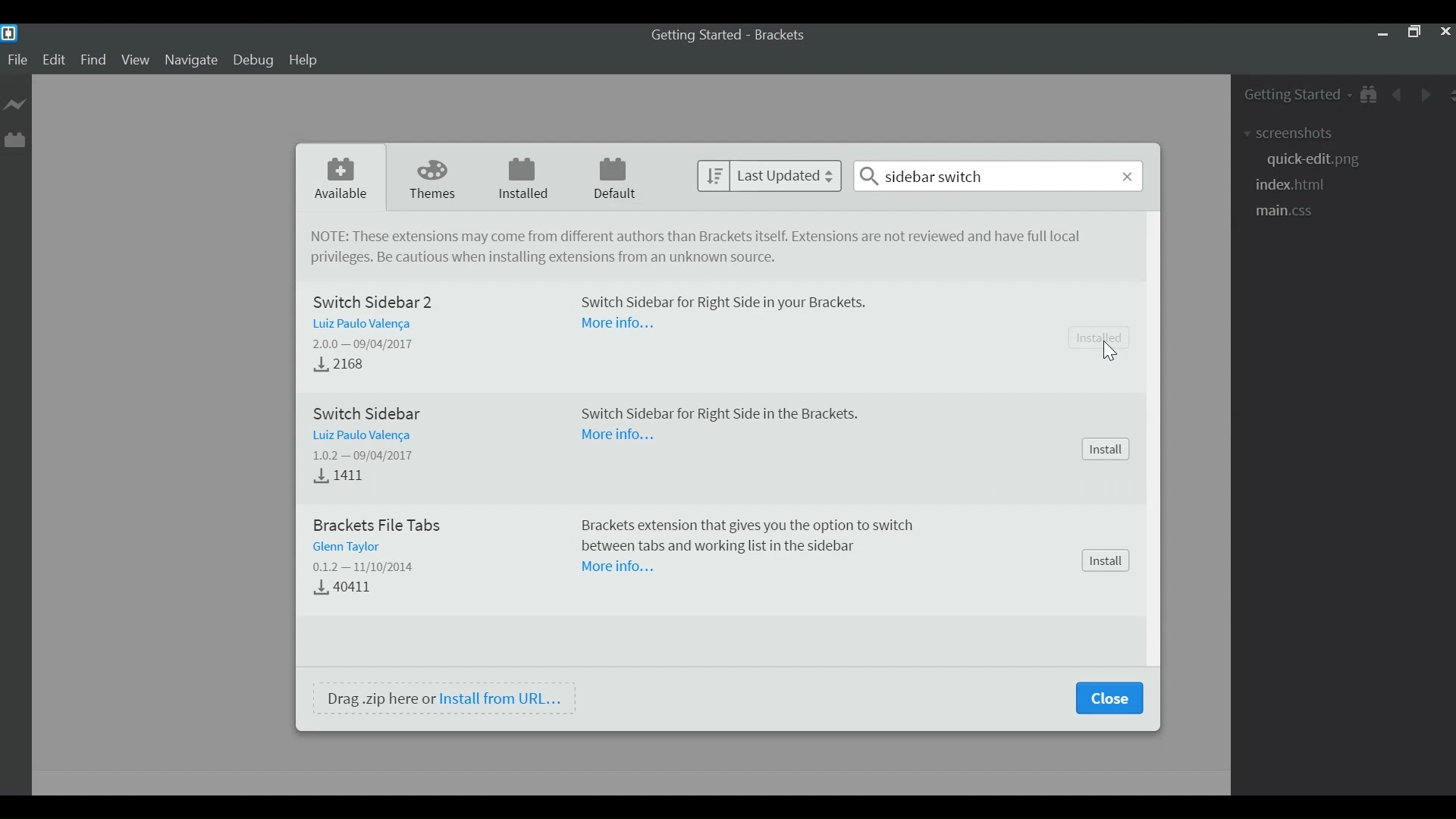  What do you see at coordinates (306, 60) in the screenshot?
I see `Help` at bounding box center [306, 60].